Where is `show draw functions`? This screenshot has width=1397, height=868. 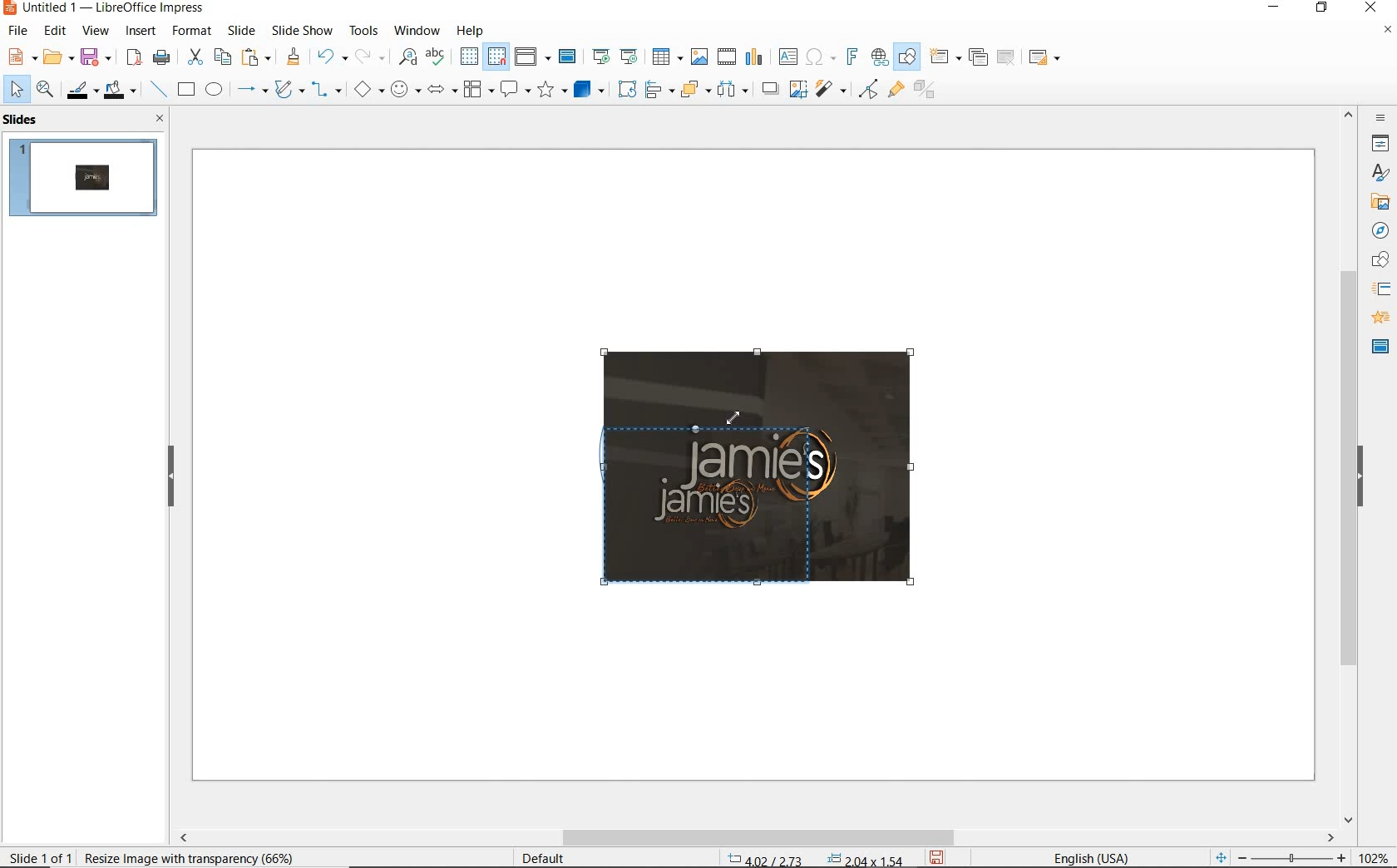 show draw functions is located at coordinates (907, 57).